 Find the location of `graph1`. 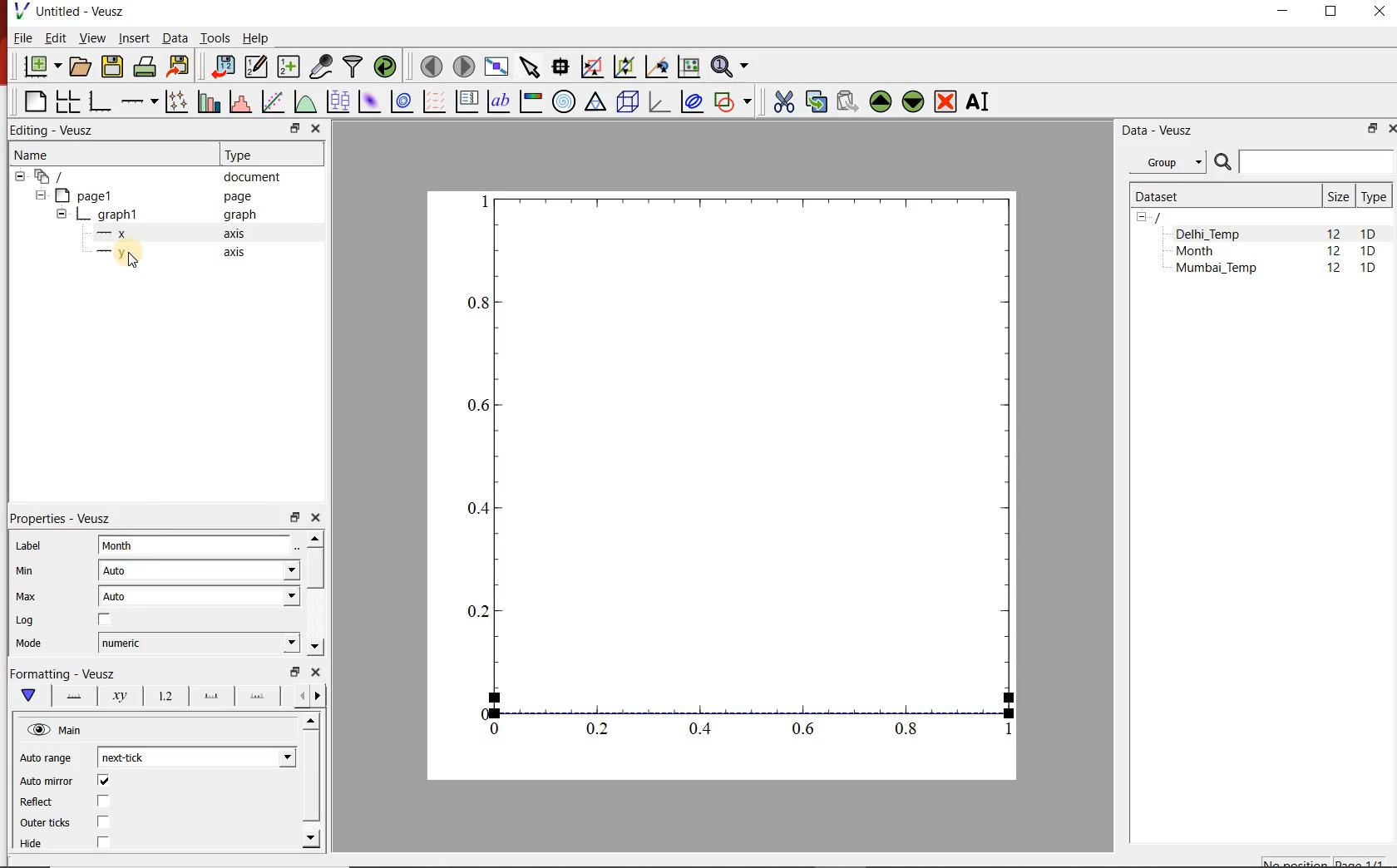

graph1 is located at coordinates (741, 474).